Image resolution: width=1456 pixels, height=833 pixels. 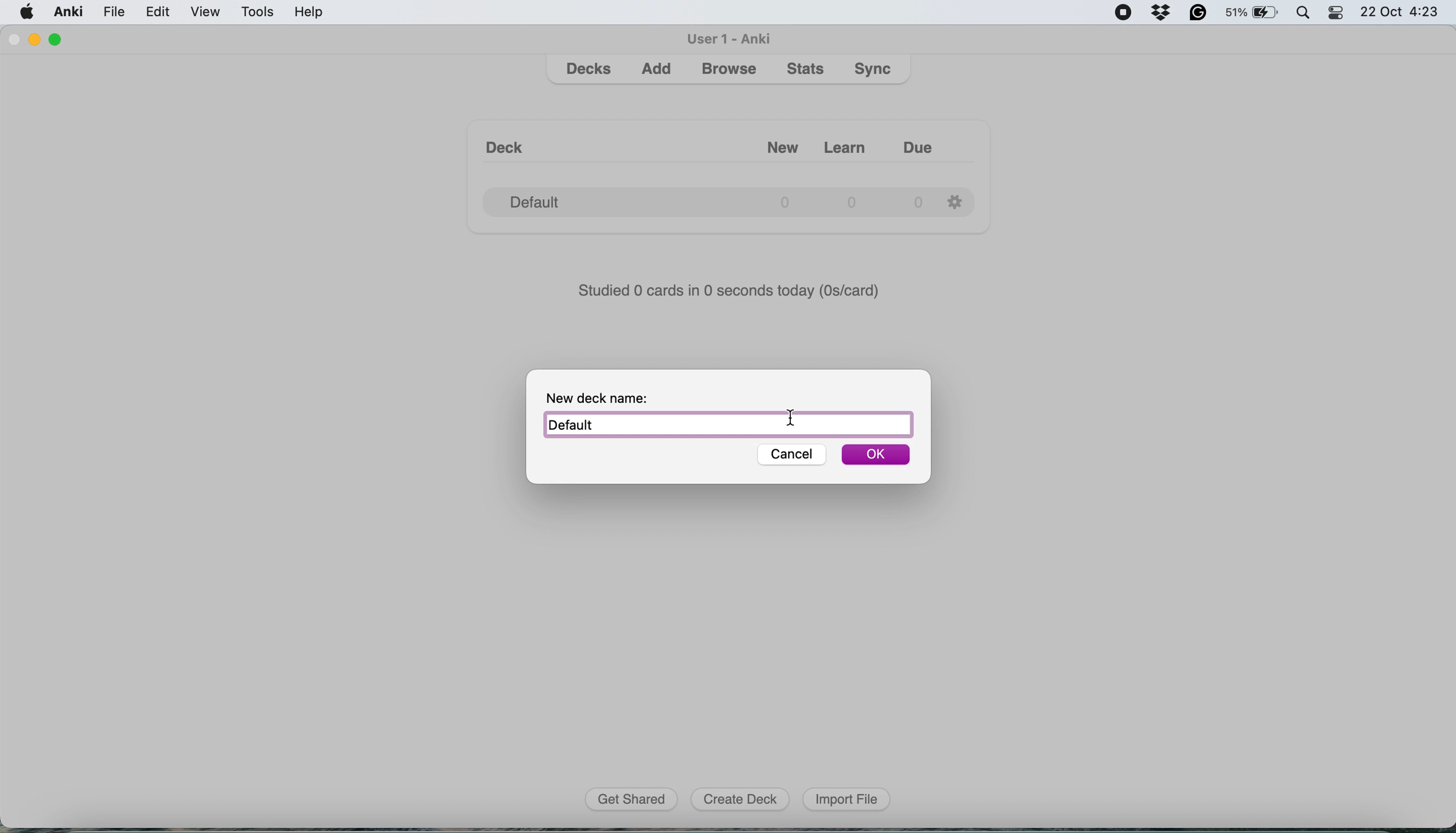 What do you see at coordinates (787, 455) in the screenshot?
I see `cancel` at bounding box center [787, 455].